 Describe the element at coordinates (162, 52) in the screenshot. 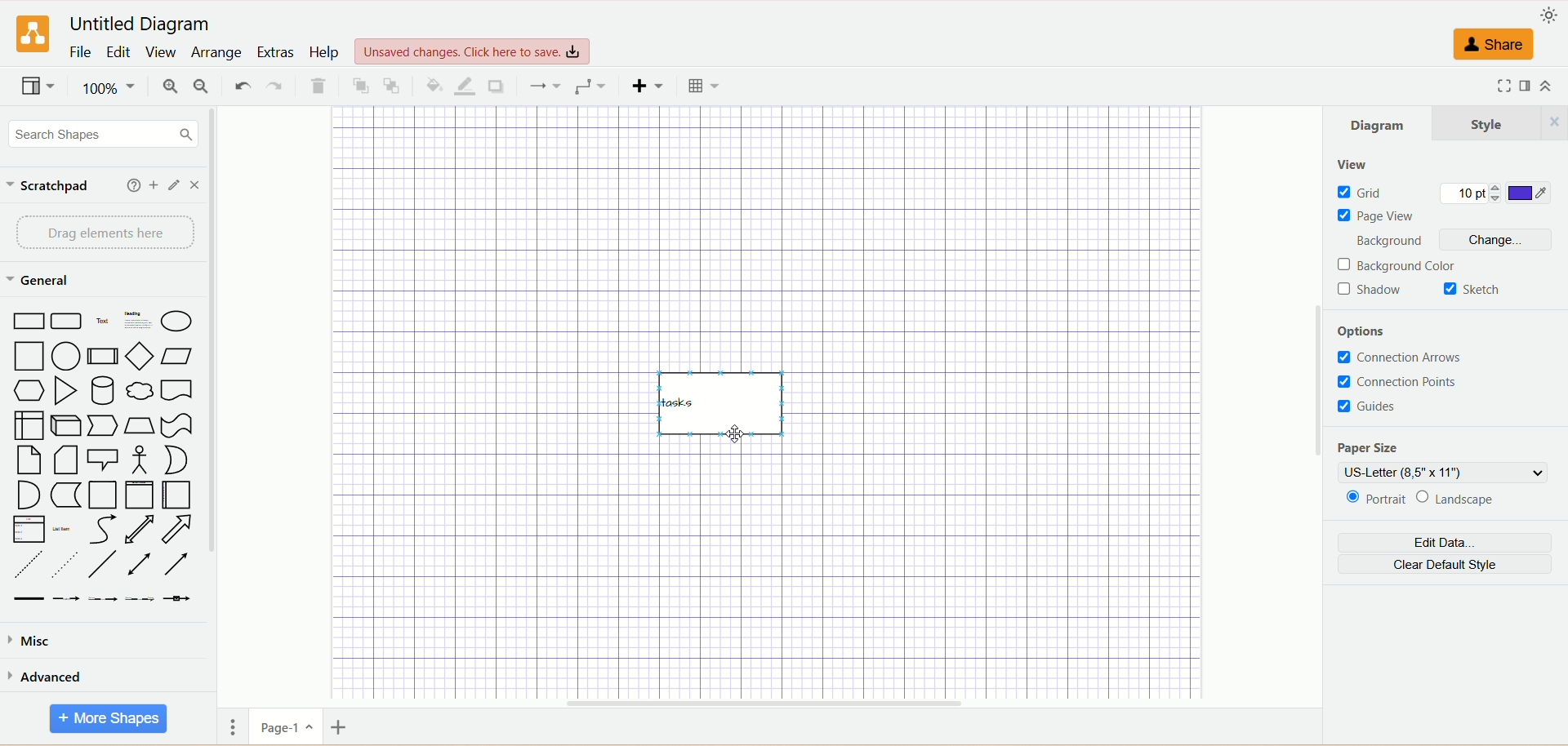

I see `view` at that location.